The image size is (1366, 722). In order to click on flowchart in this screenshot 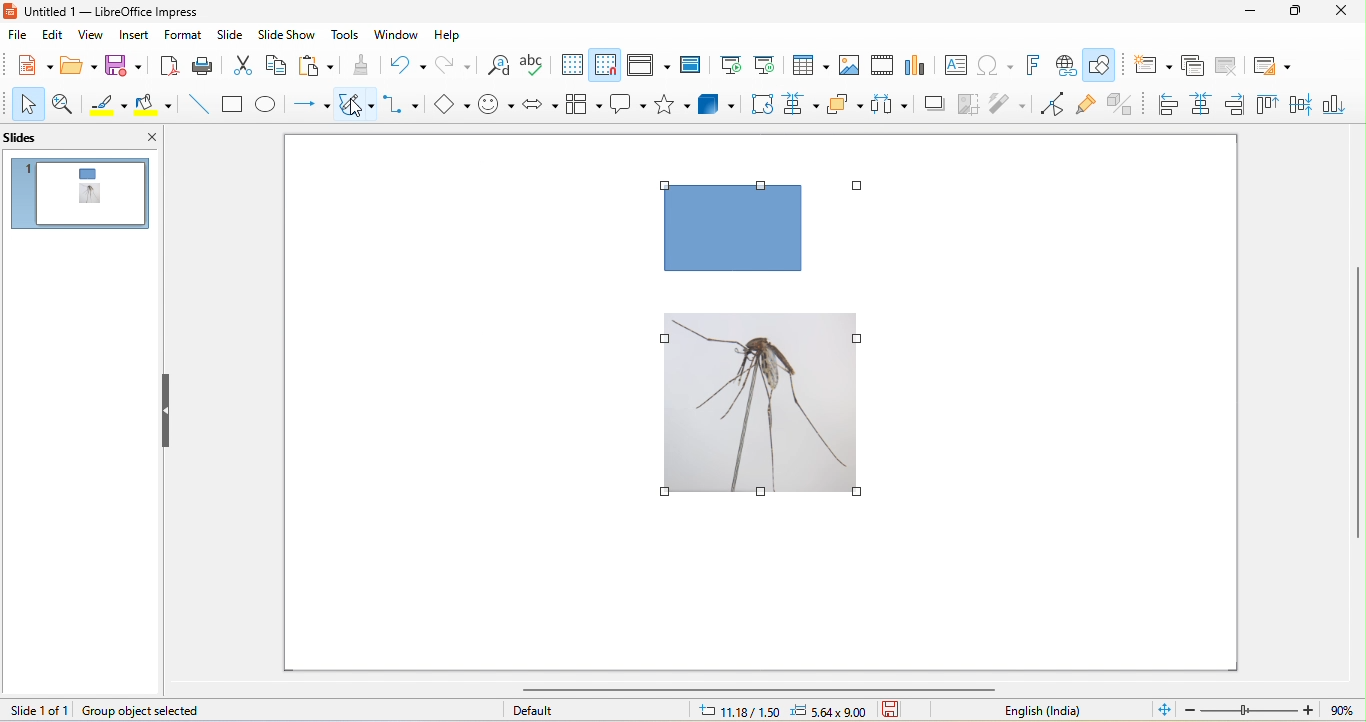, I will do `click(585, 106)`.